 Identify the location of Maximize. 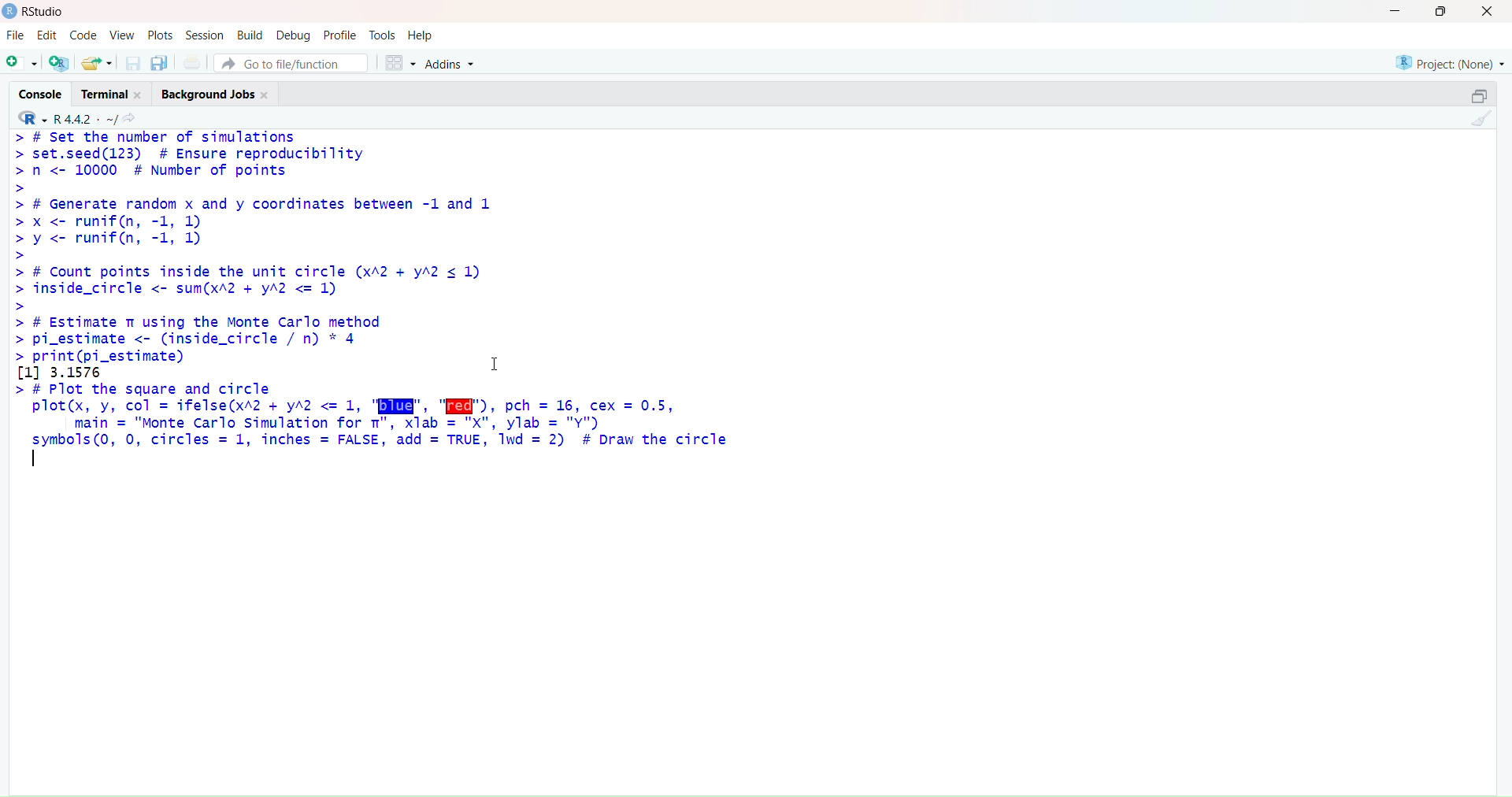
(1443, 14).